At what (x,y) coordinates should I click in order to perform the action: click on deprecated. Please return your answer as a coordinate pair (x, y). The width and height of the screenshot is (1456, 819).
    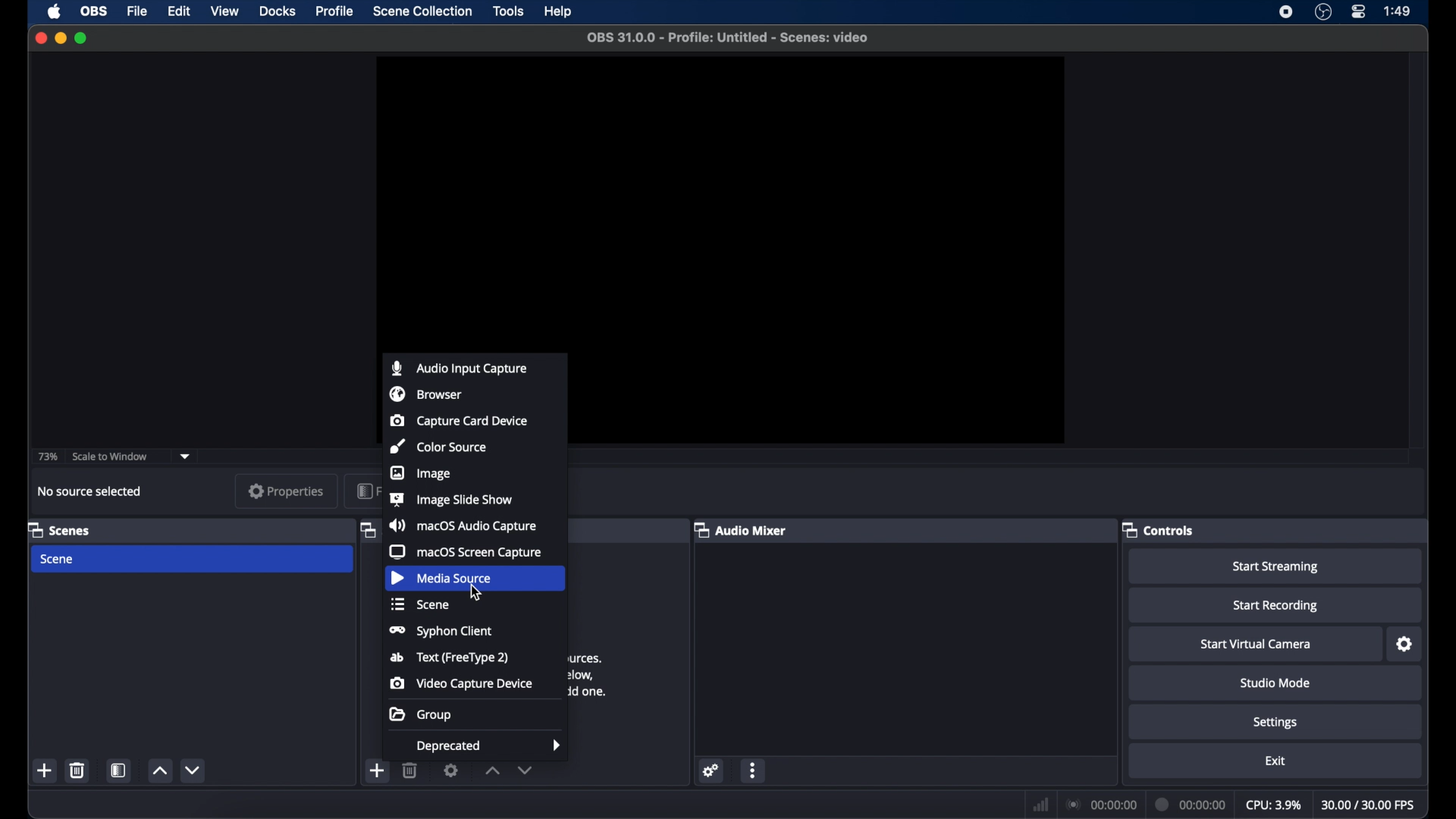
    Looking at the image, I should click on (490, 747).